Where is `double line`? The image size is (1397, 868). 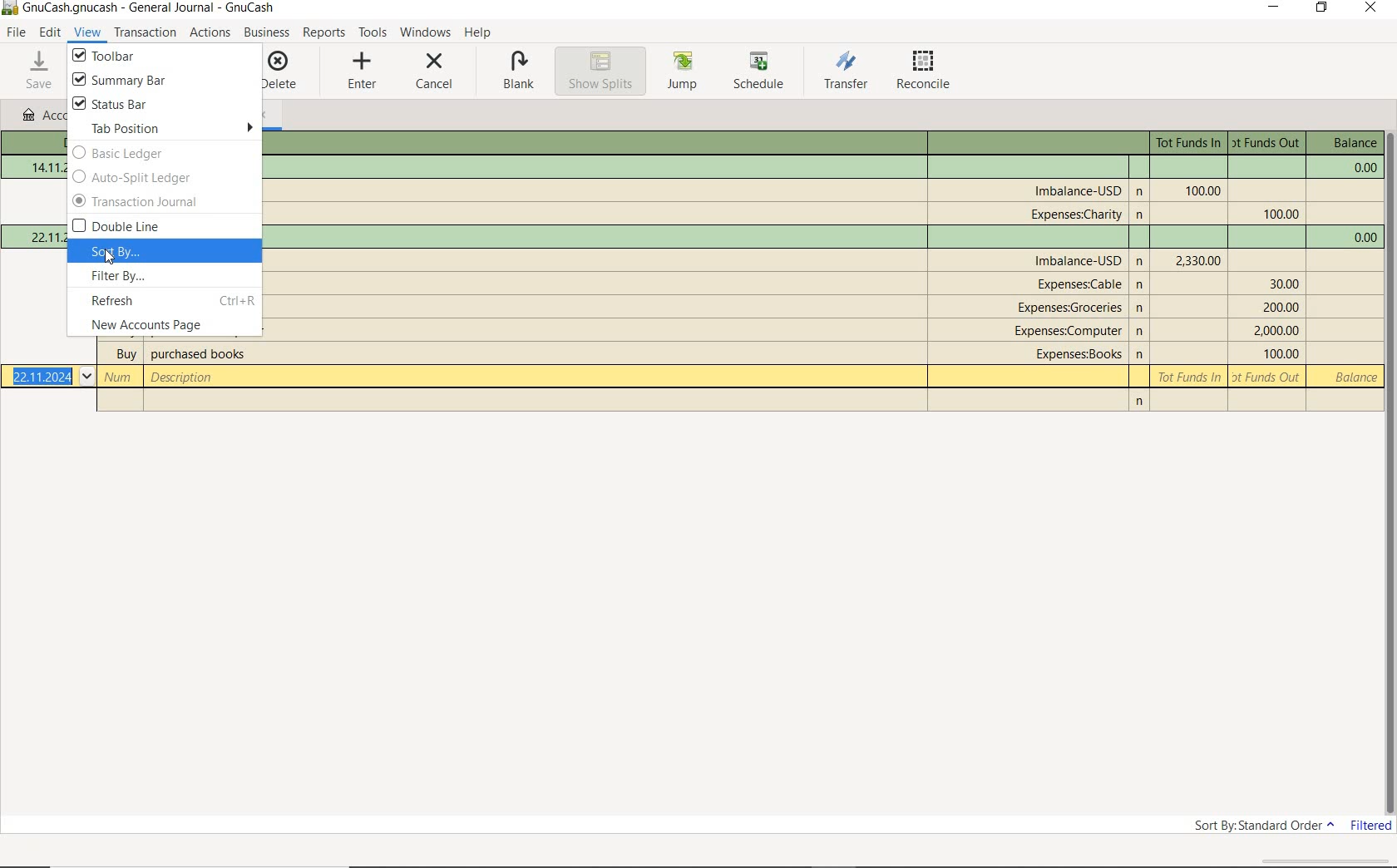 double line is located at coordinates (165, 227).